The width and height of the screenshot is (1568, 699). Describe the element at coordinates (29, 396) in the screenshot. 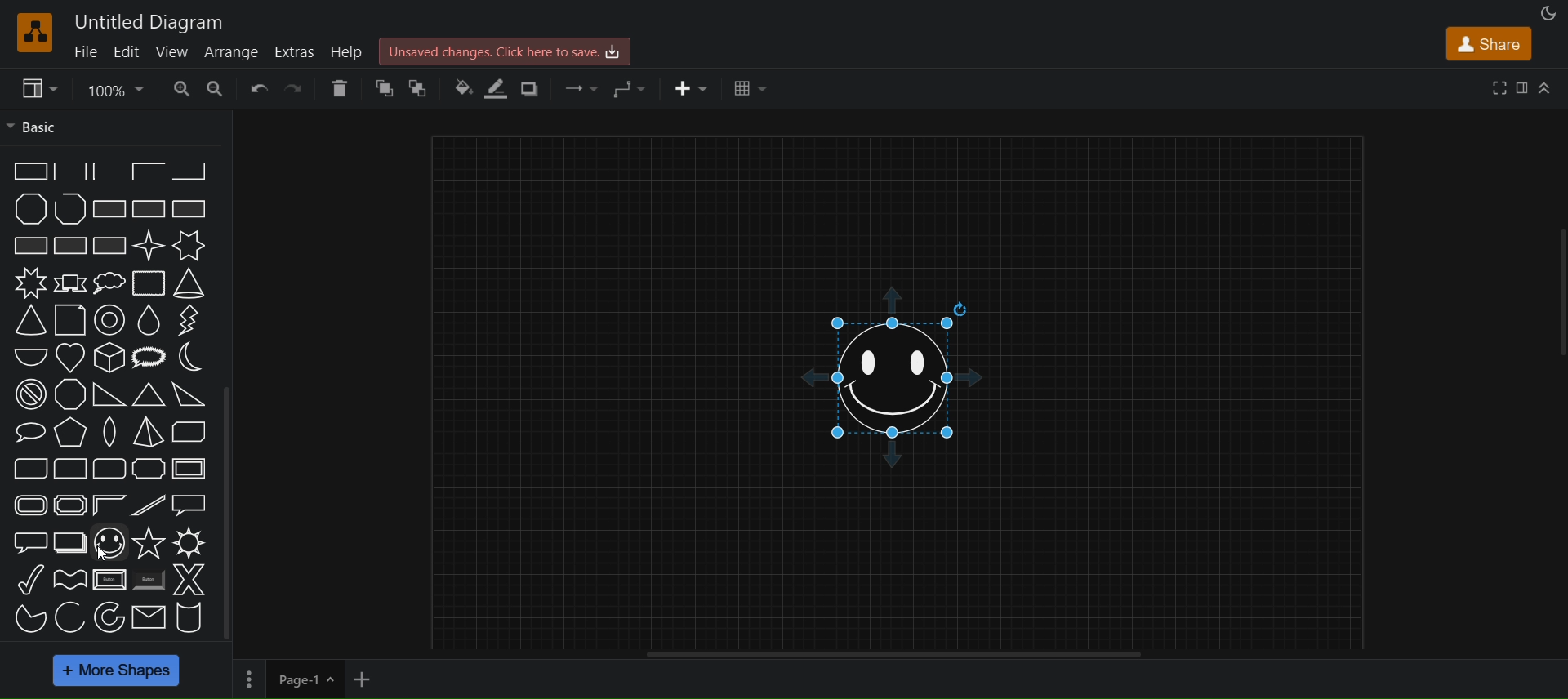

I see `no symbol` at that location.